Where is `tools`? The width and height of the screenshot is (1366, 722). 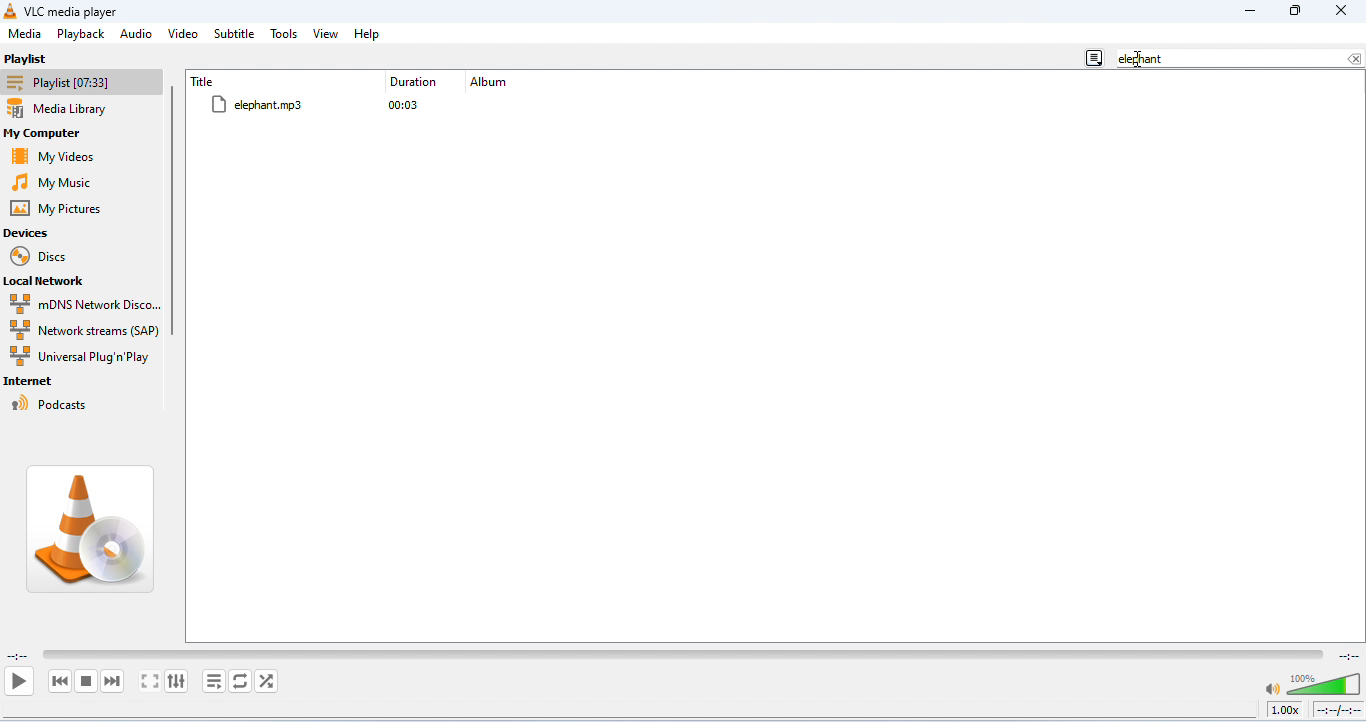 tools is located at coordinates (285, 34).